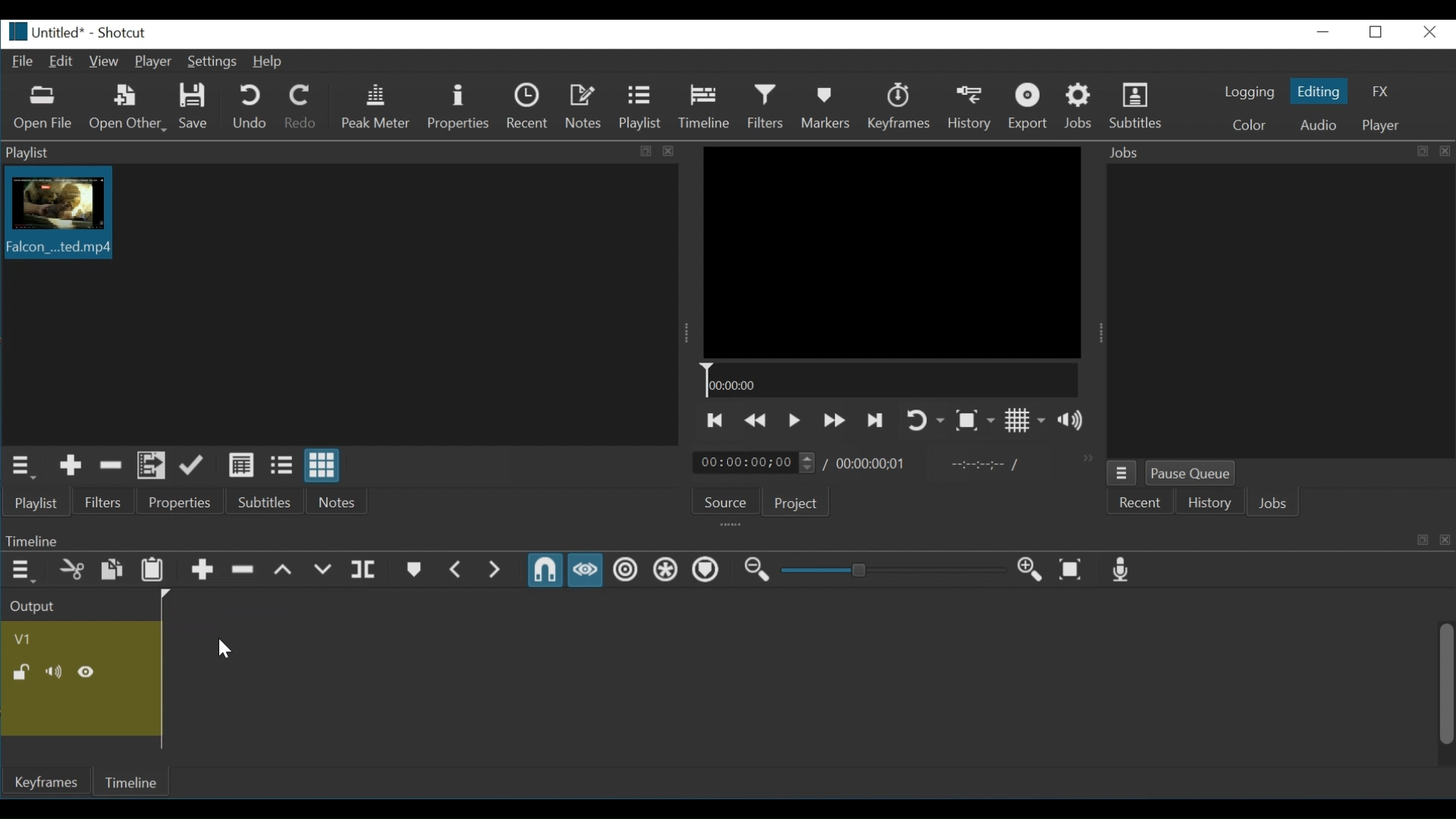 The image size is (1456, 819). Describe the element at coordinates (1140, 104) in the screenshot. I see `Subtitles` at that location.